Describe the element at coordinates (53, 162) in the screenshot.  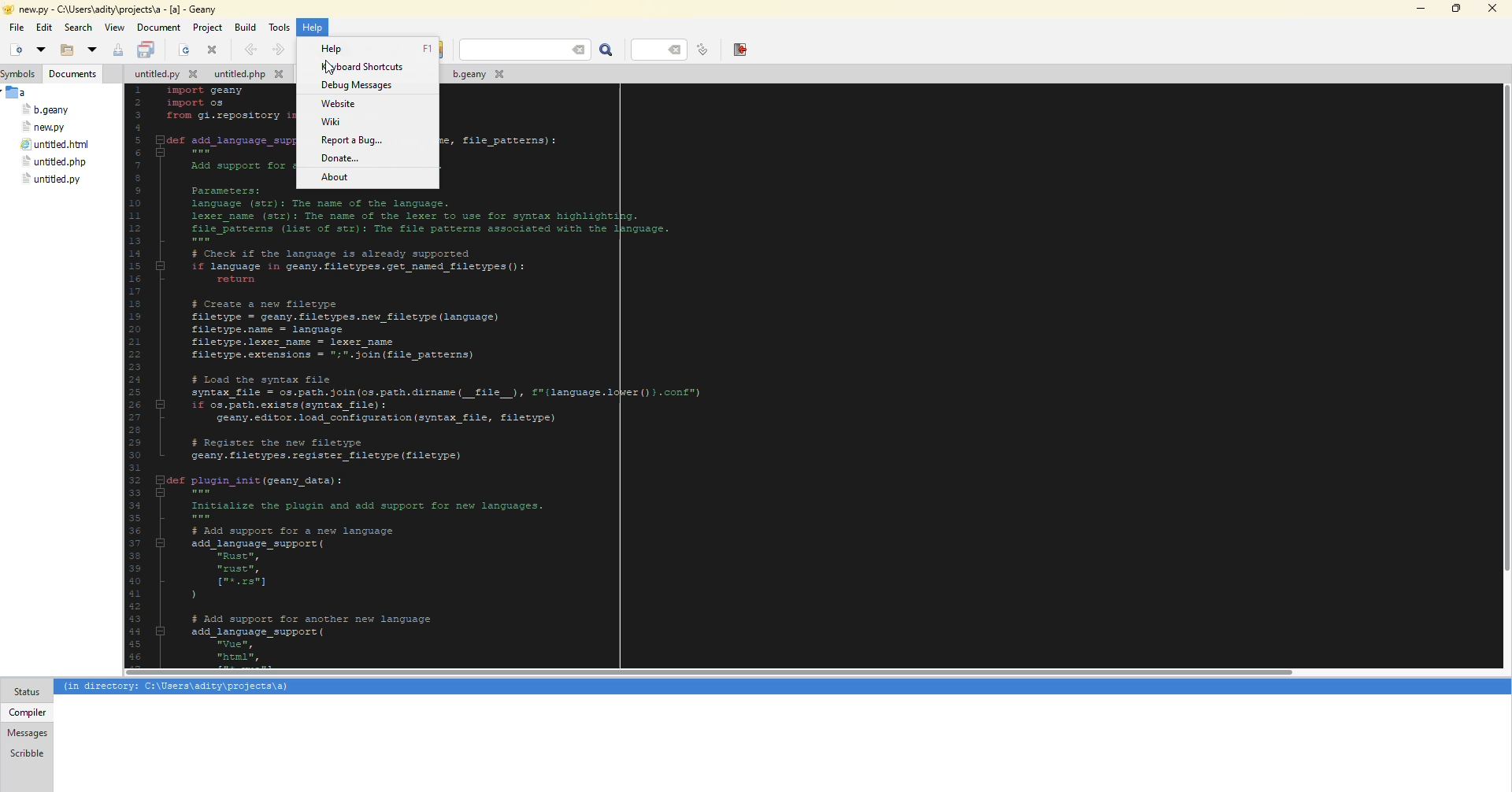
I see `file` at that location.